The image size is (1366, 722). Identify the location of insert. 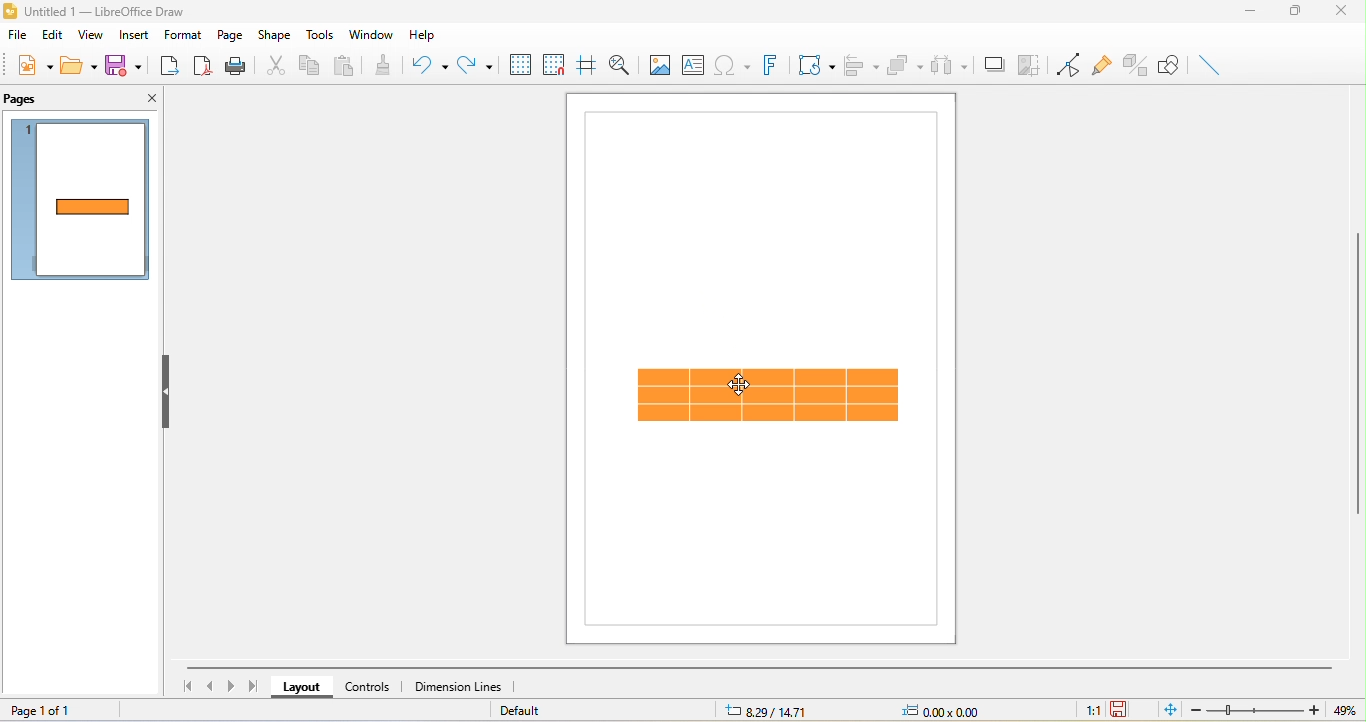
(133, 37).